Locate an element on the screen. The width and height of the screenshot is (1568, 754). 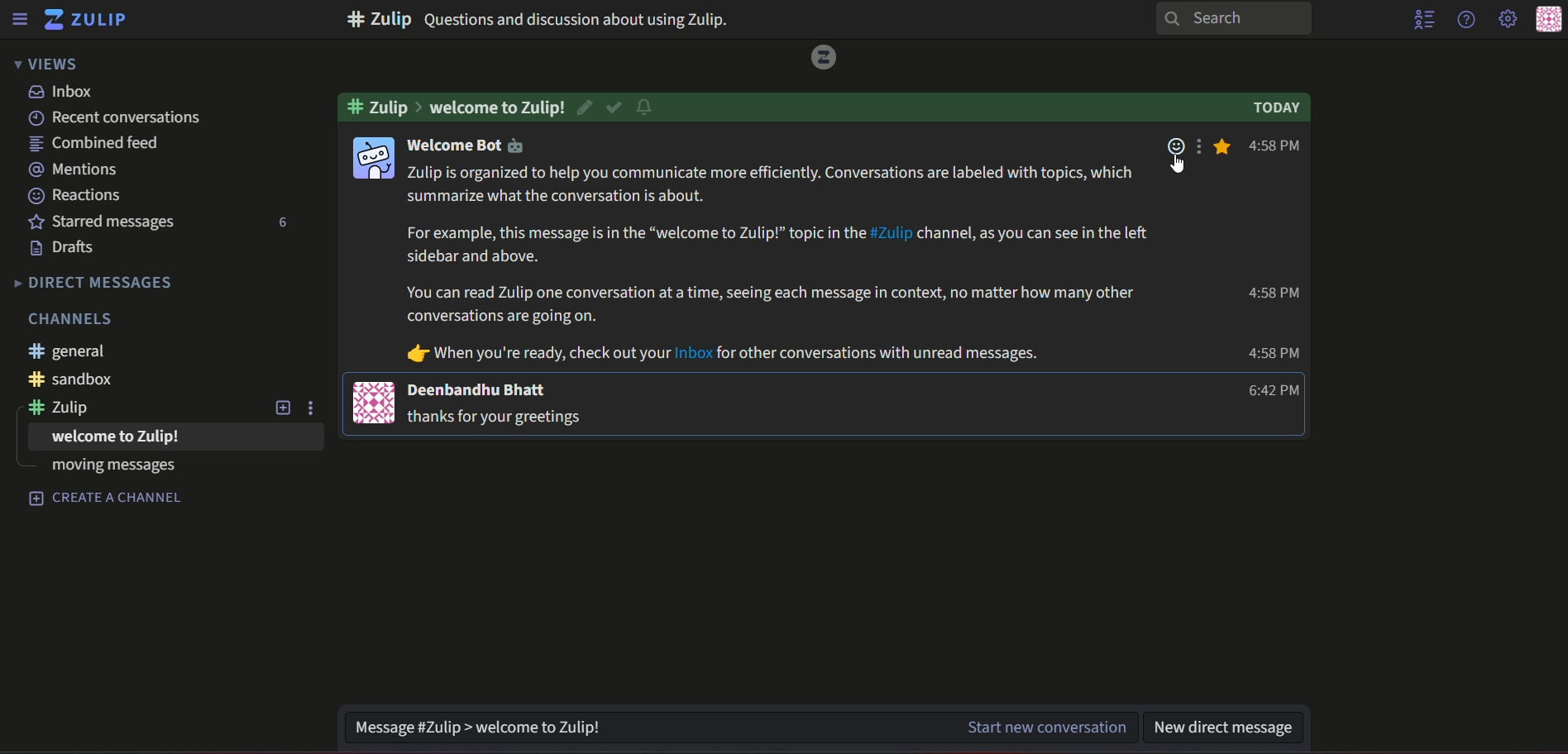
6 is located at coordinates (280, 223).